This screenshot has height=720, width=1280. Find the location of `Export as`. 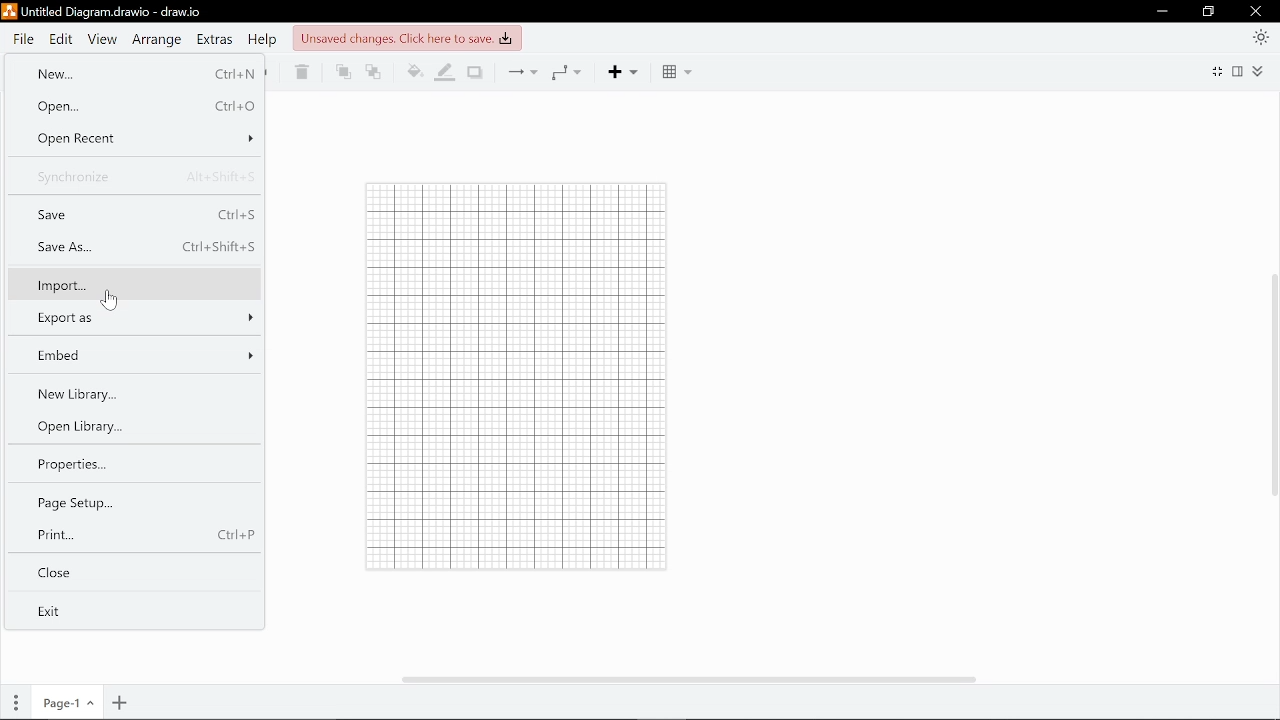

Export as is located at coordinates (134, 318).